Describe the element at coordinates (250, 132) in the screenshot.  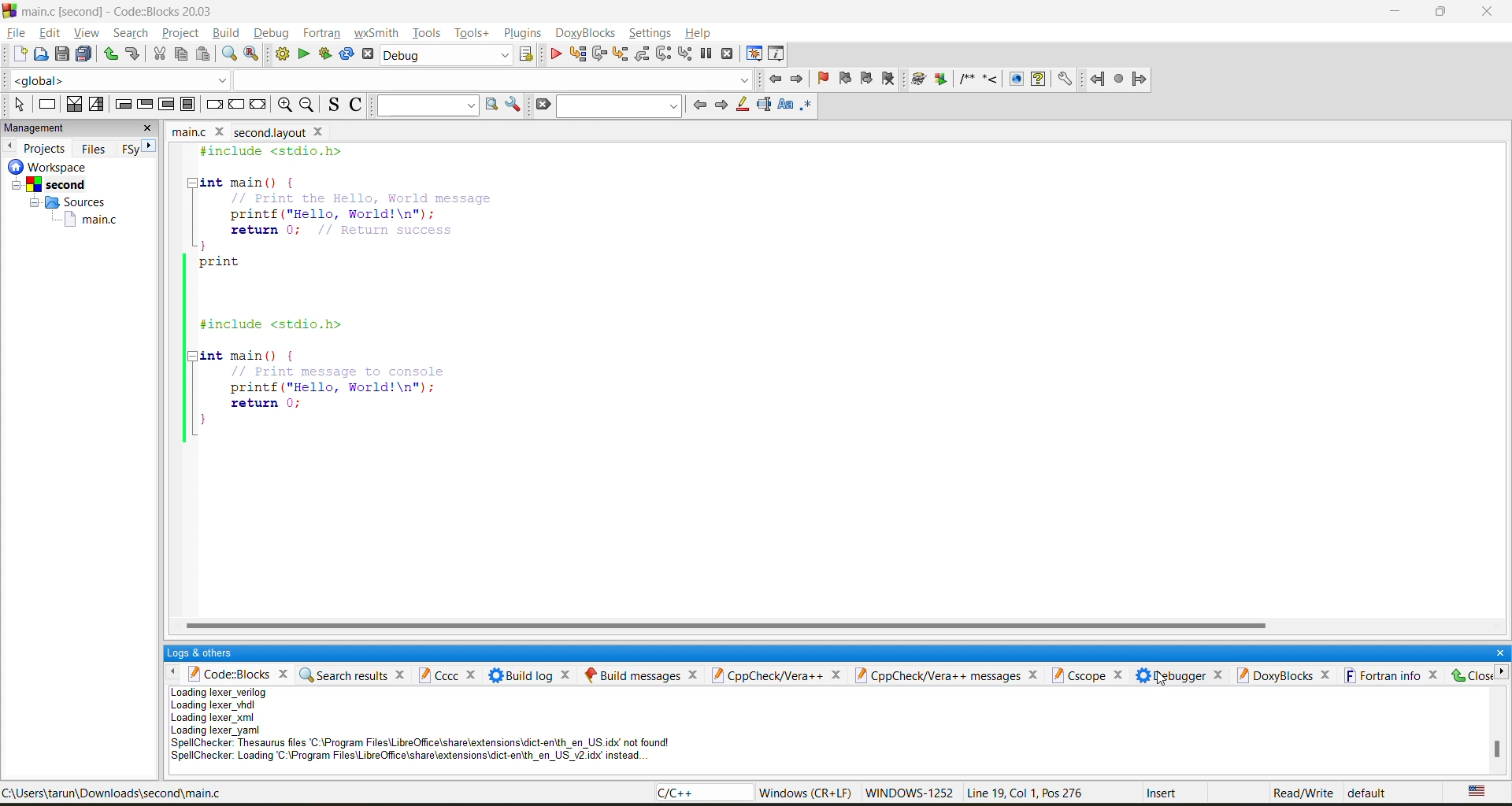
I see `file name` at that location.